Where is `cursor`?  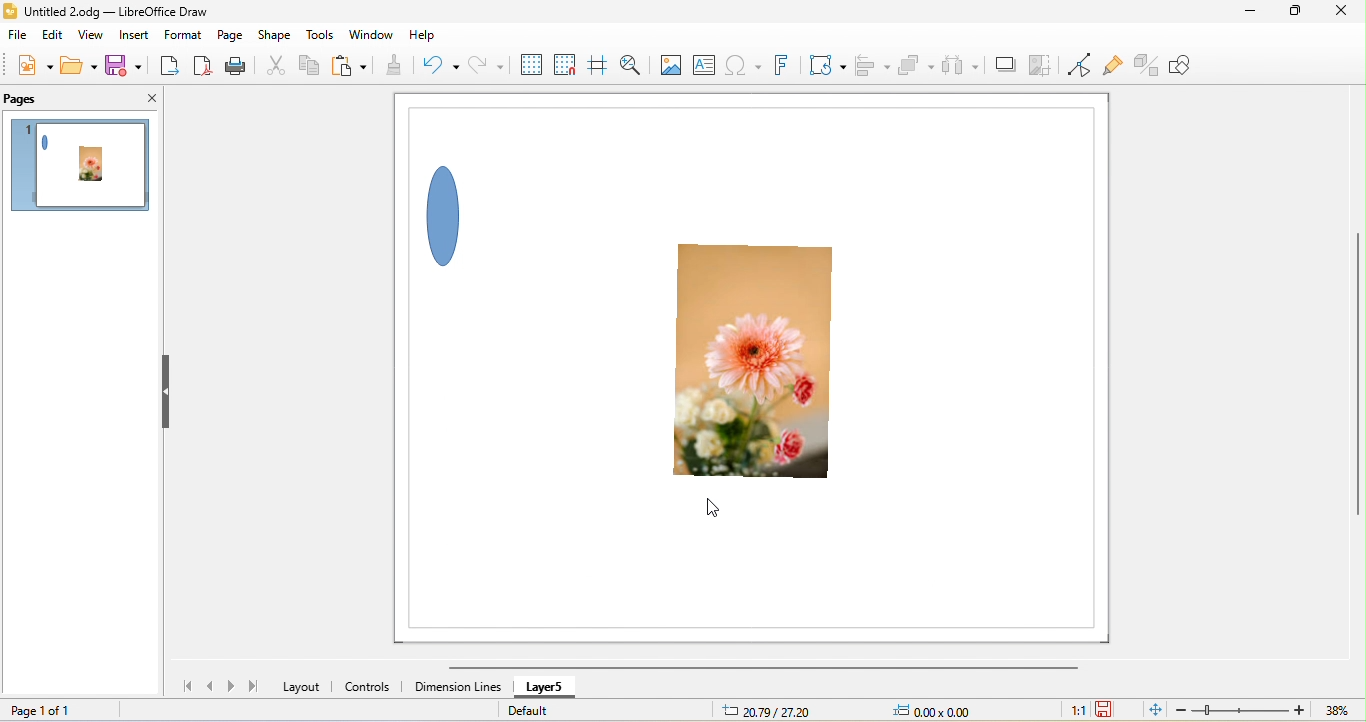 cursor is located at coordinates (713, 507).